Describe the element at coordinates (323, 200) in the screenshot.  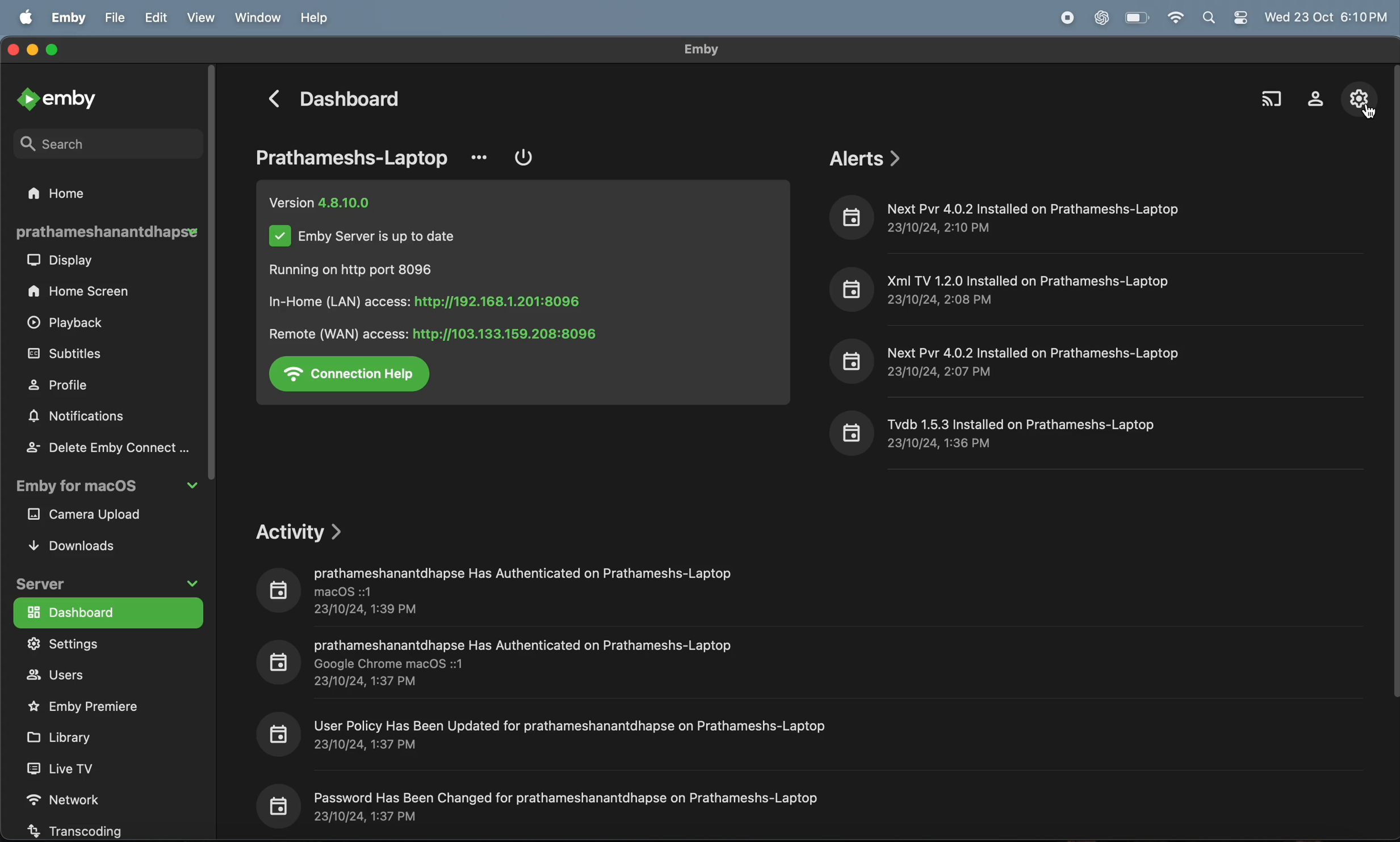
I see `version 4.8.10.0` at that location.